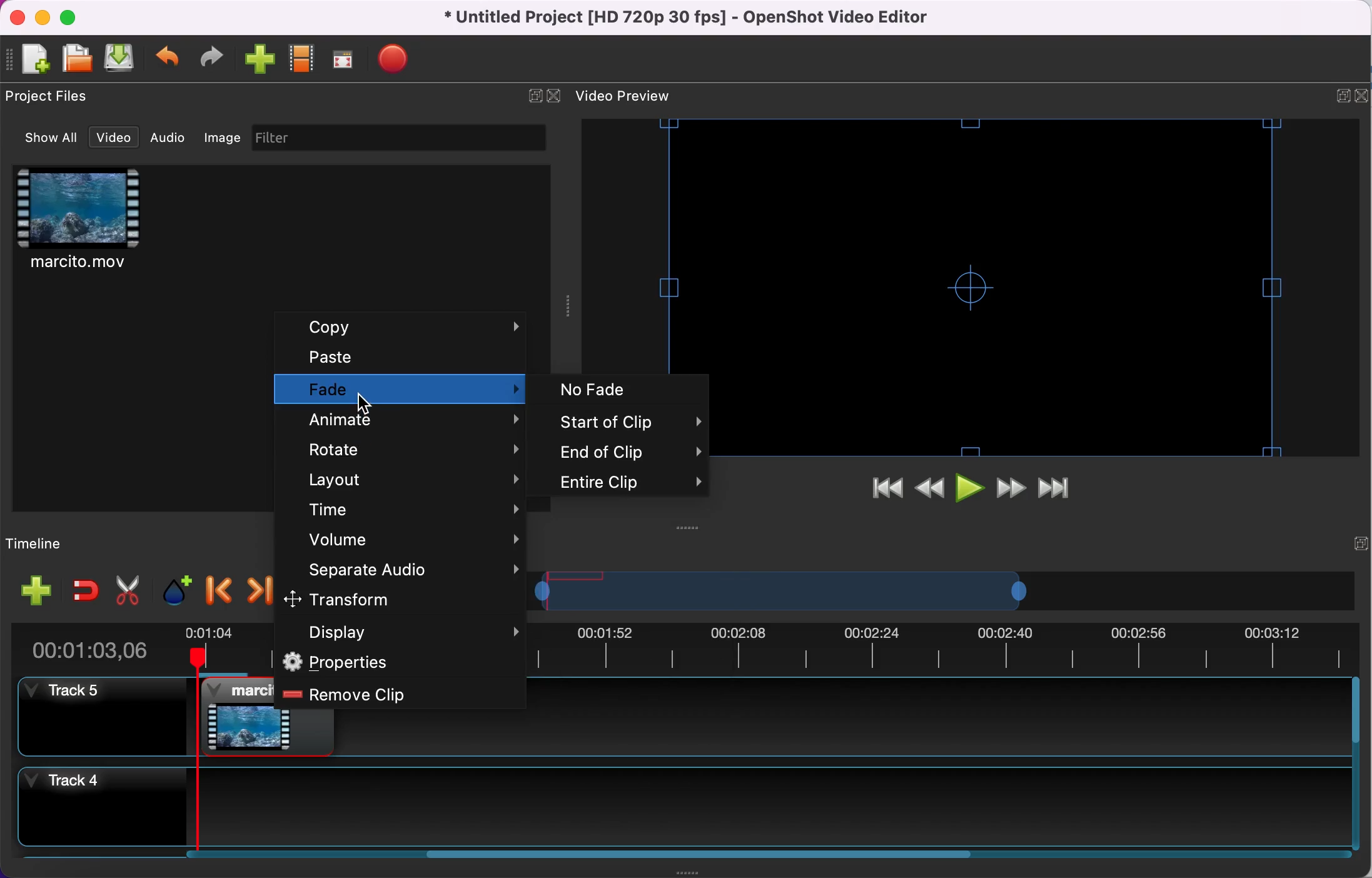 This screenshot has width=1372, height=878. Describe the element at coordinates (1362, 98) in the screenshot. I see `close` at that location.